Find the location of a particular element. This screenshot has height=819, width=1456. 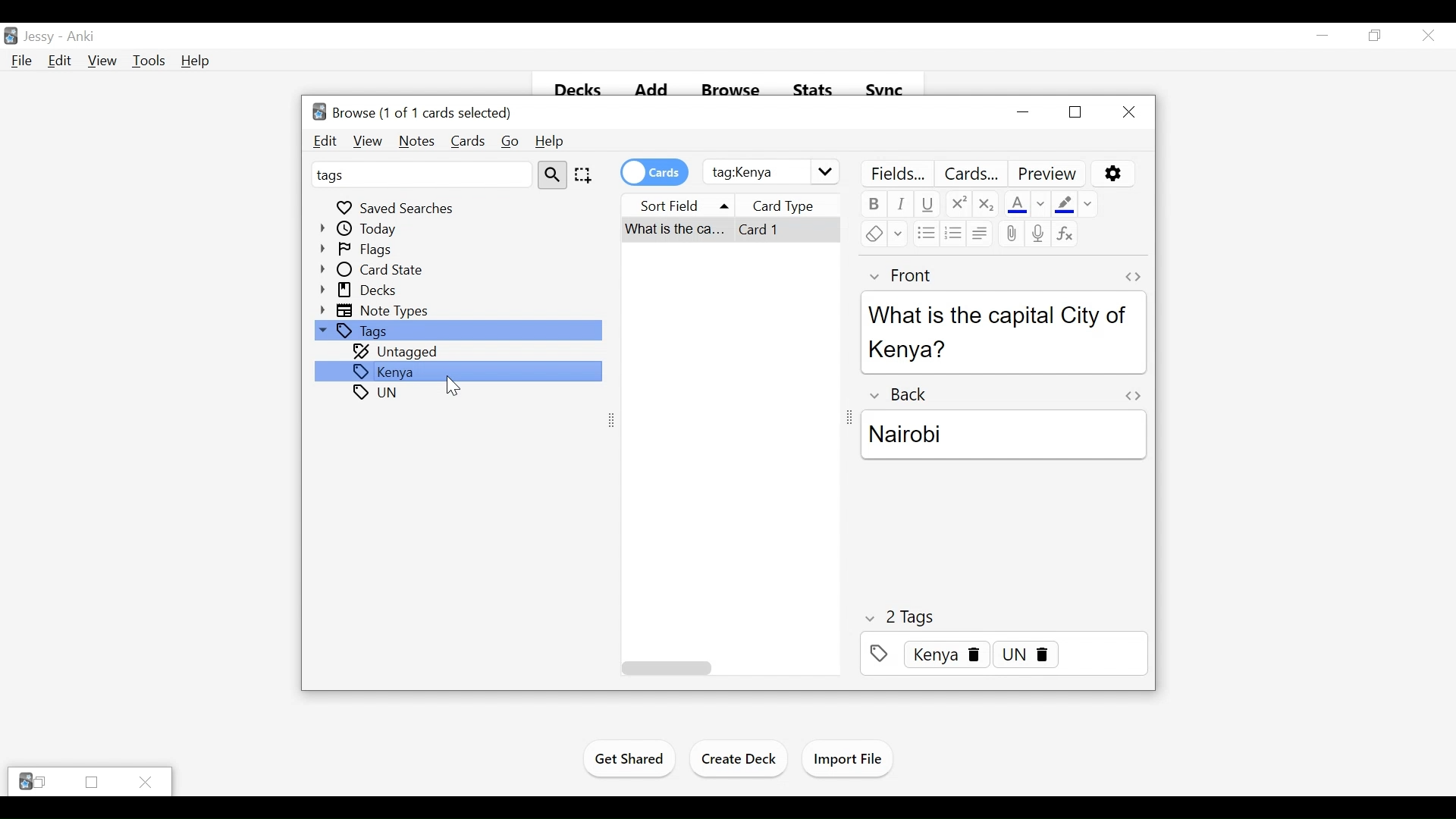

Alignment is located at coordinates (980, 234).